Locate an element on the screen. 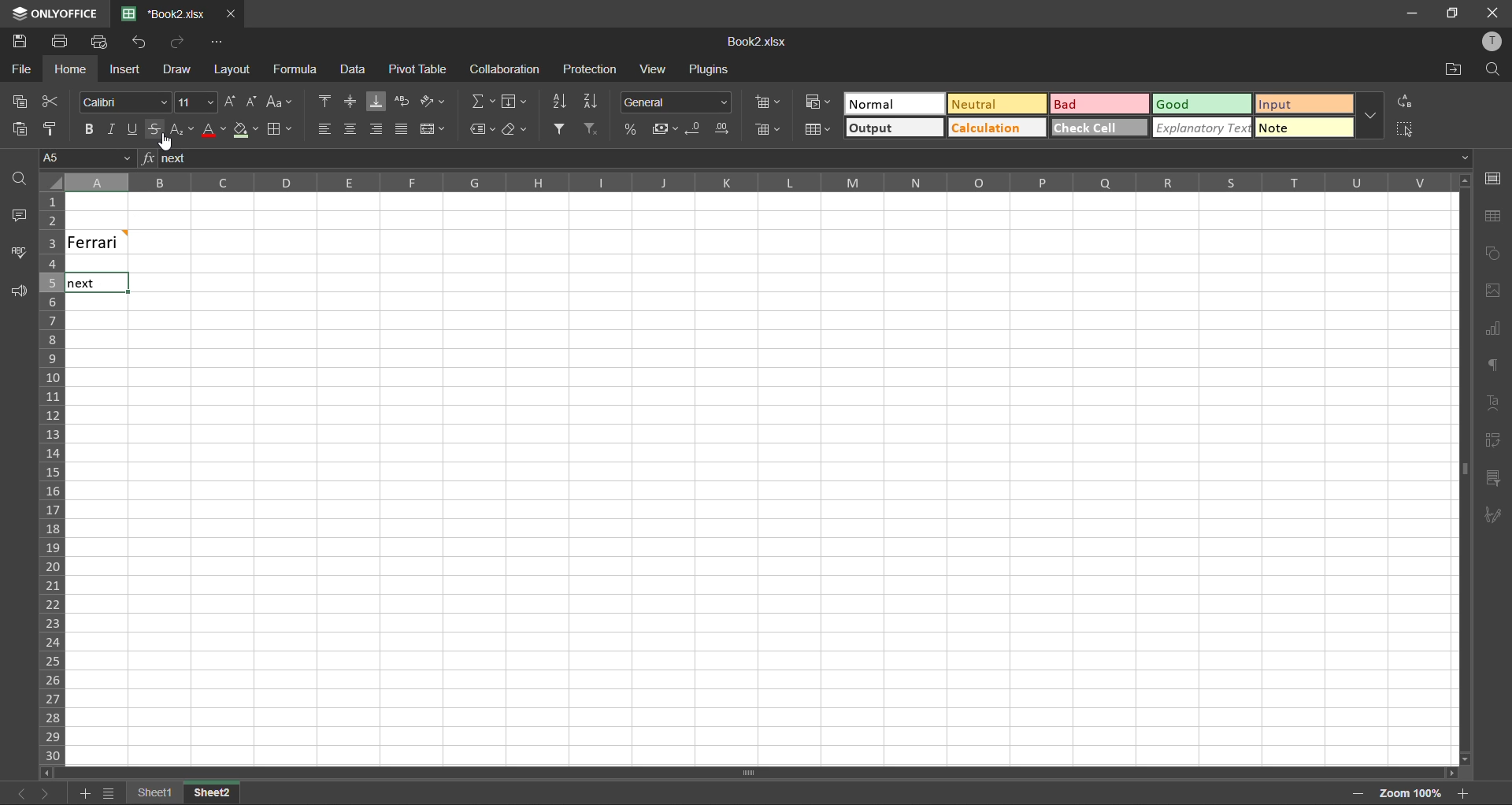 The width and height of the screenshot is (1512, 805). pivot table is located at coordinates (422, 73).